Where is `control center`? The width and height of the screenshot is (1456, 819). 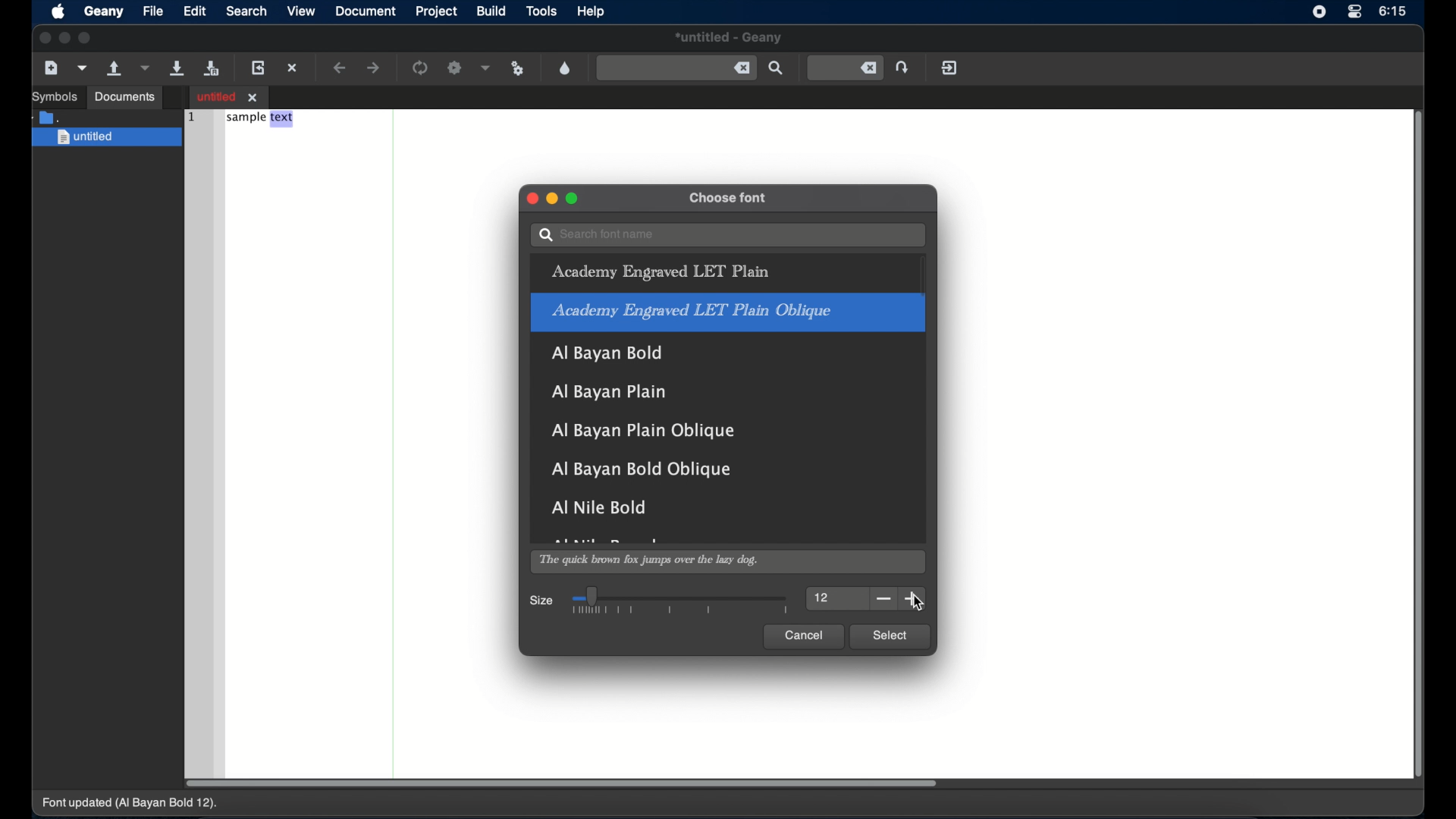
control center is located at coordinates (1354, 12).